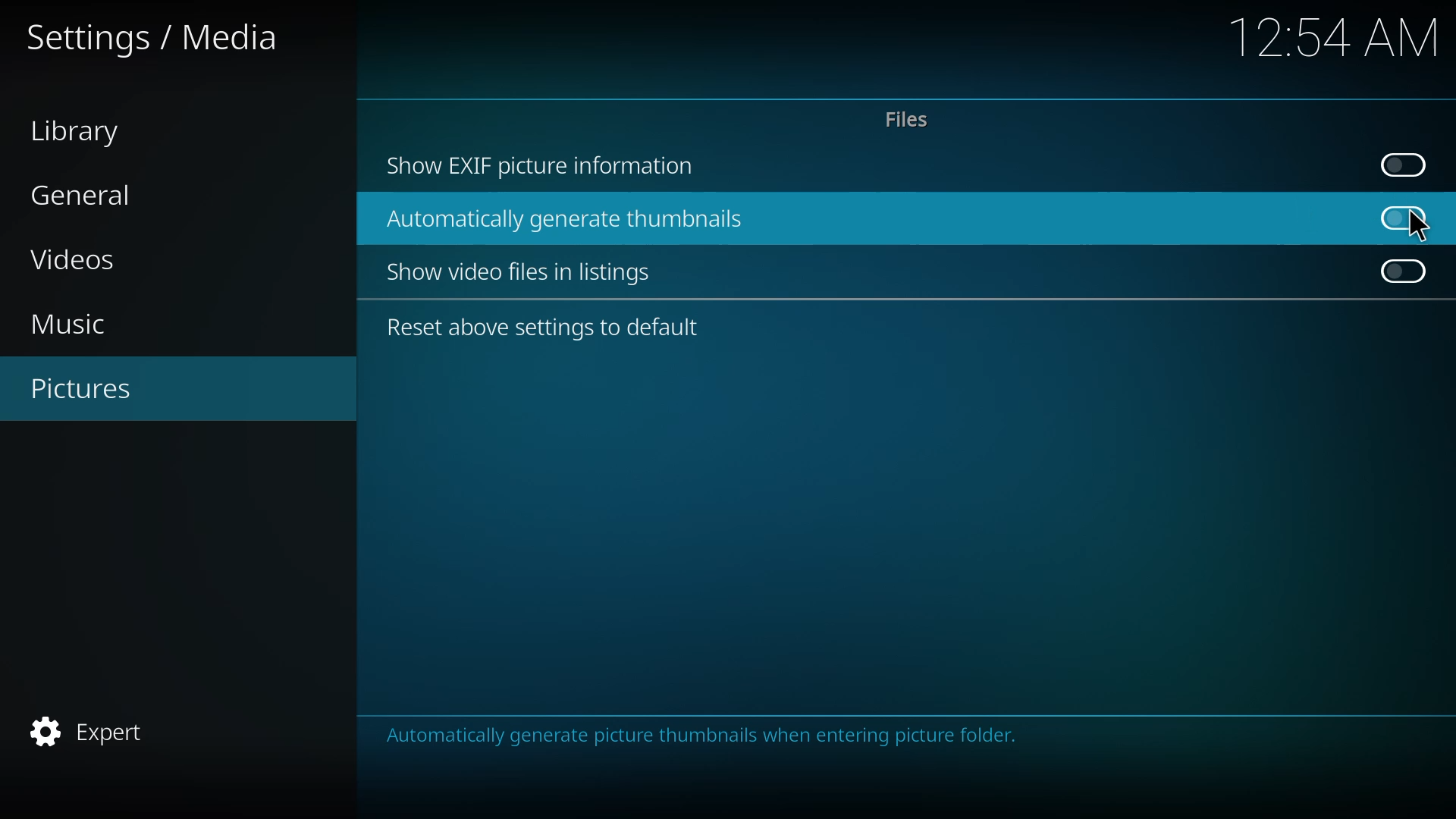  I want to click on click to enable, so click(1403, 163).